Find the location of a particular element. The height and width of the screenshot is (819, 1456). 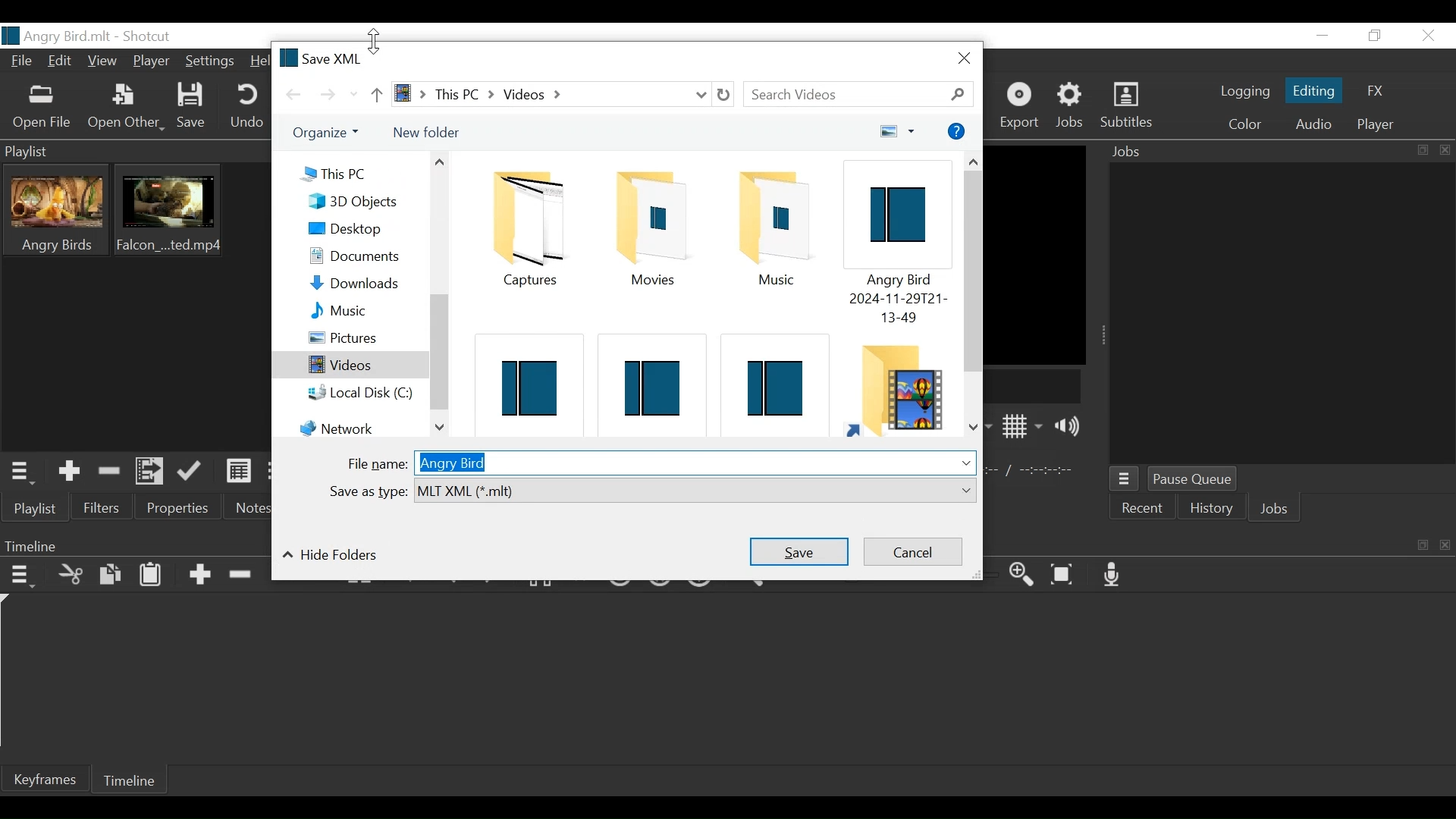

Go back is located at coordinates (295, 94).